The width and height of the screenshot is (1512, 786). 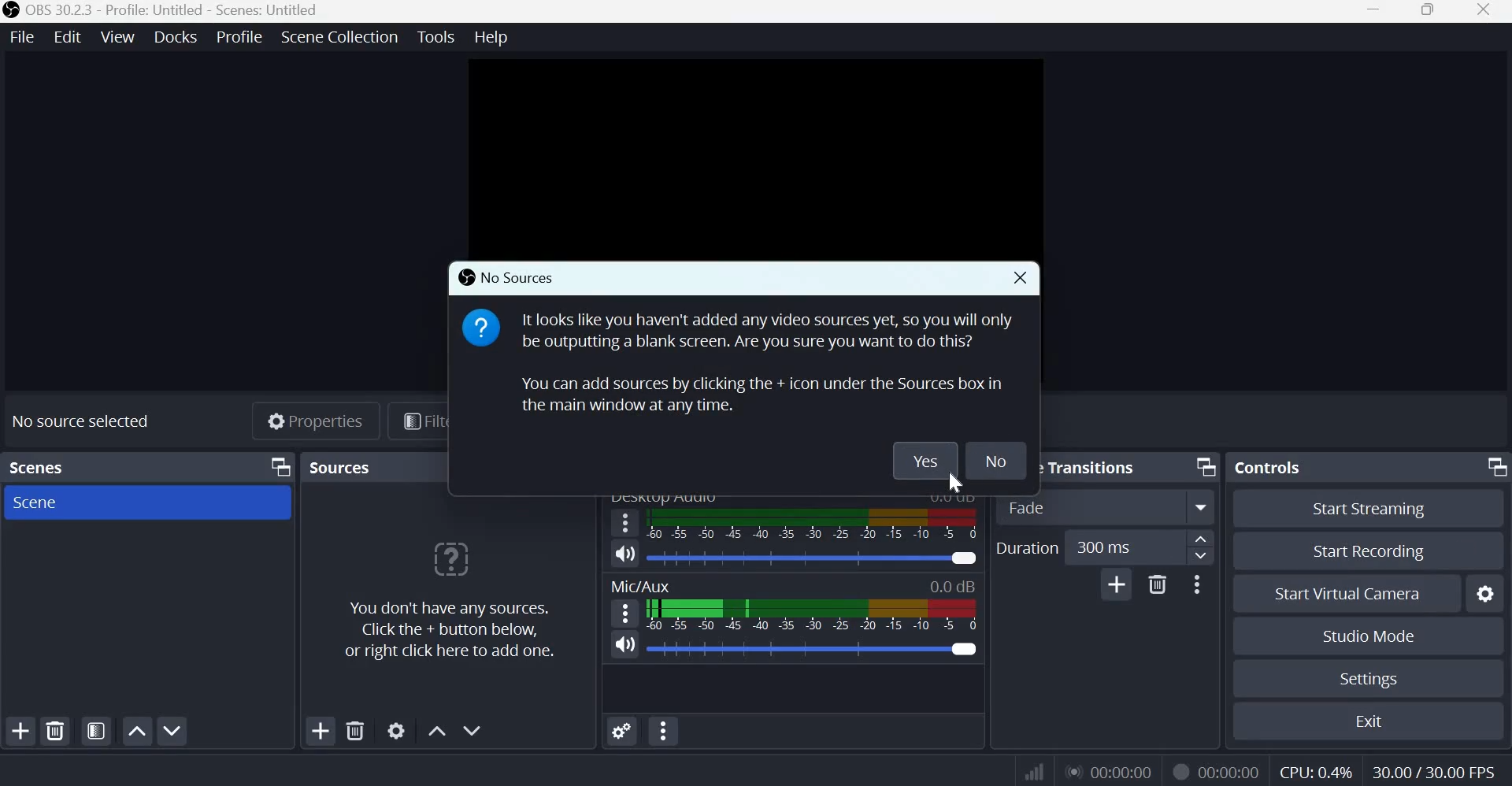 I want to click on Move source(s) up, so click(x=438, y=730).